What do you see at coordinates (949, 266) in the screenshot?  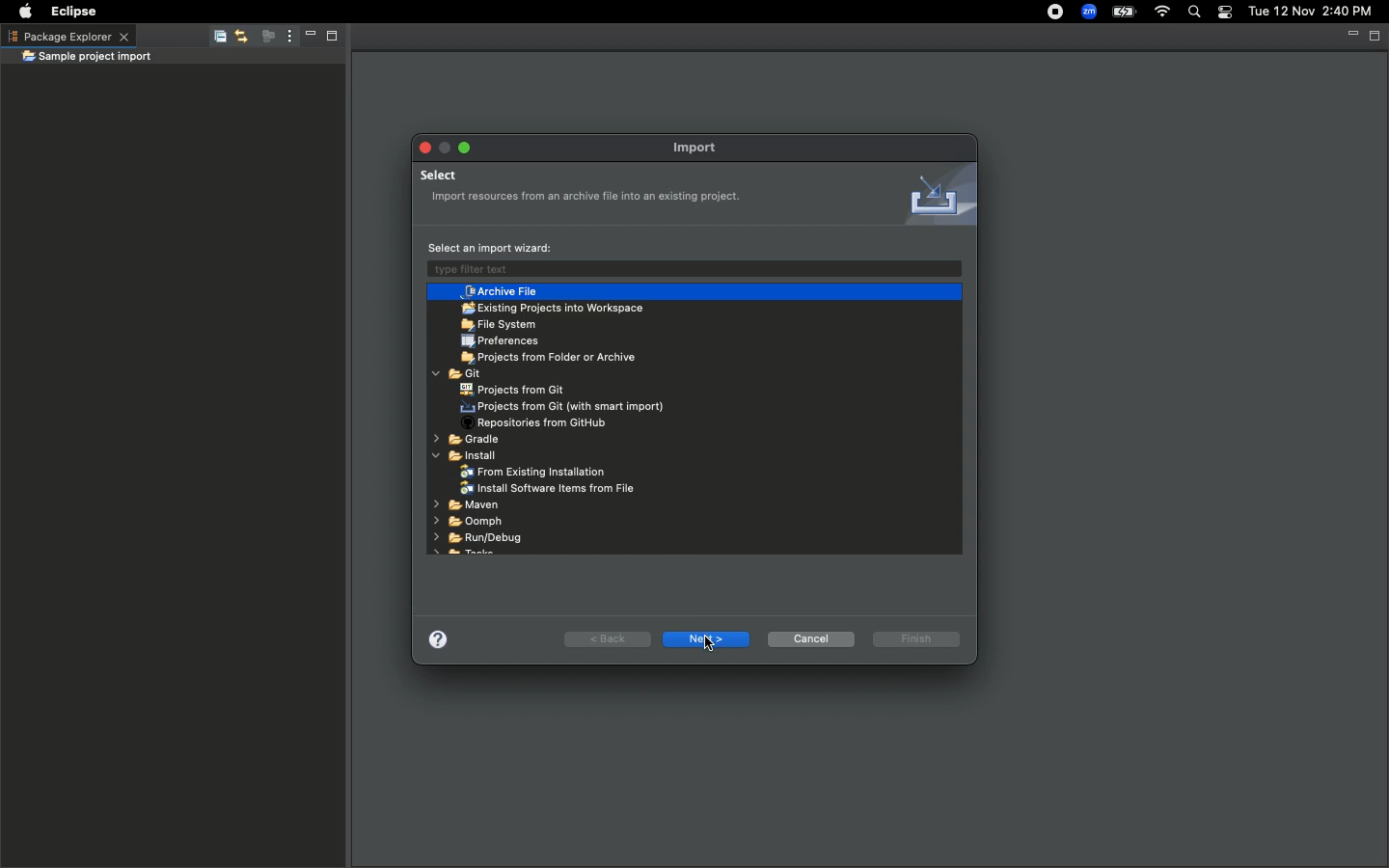 I see `close` at bounding box center [949, 266].